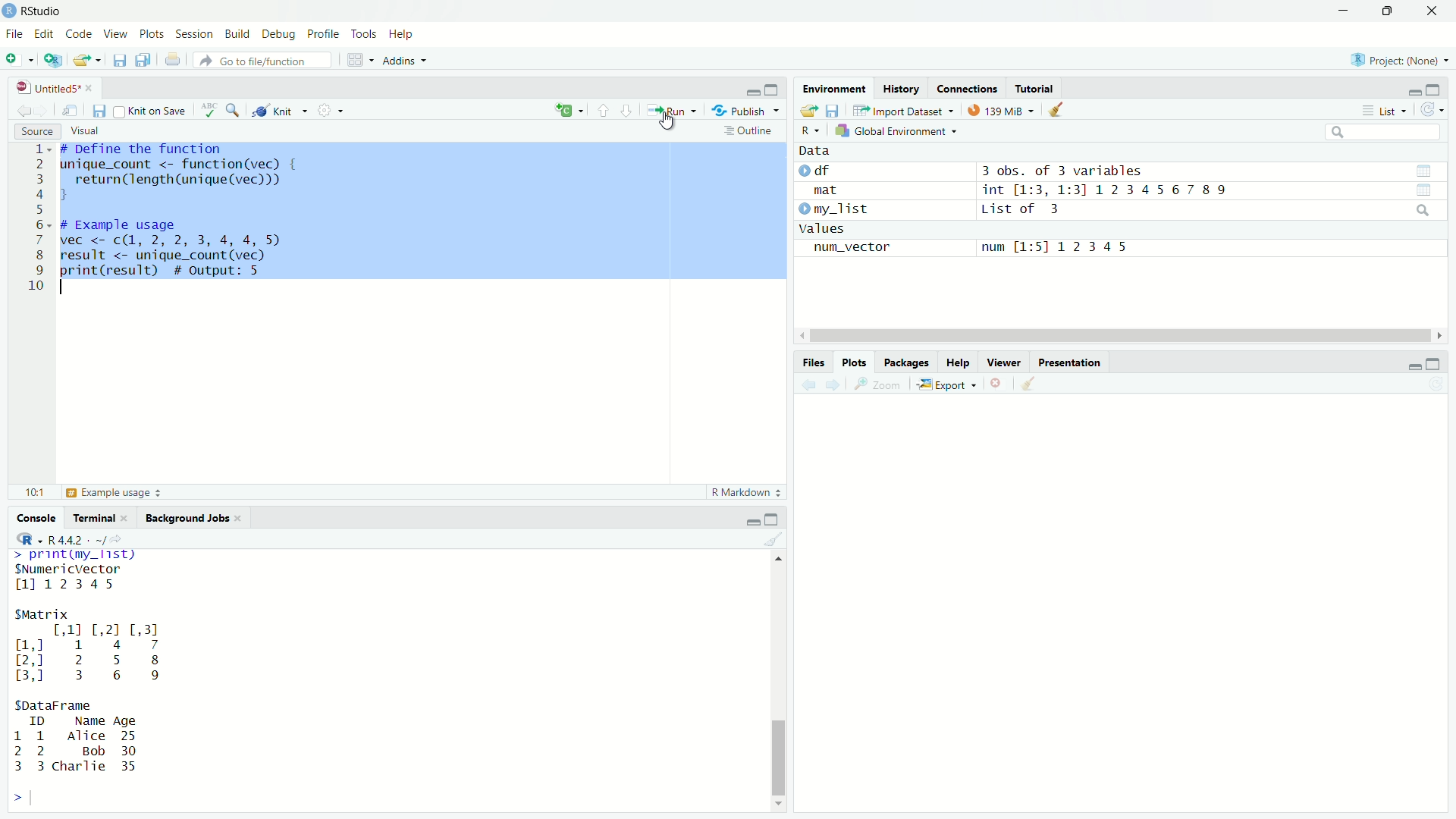  What do you see at coordinates (838, 385) in the screenshot?
I see `forward` at bounding box center [838, 385].